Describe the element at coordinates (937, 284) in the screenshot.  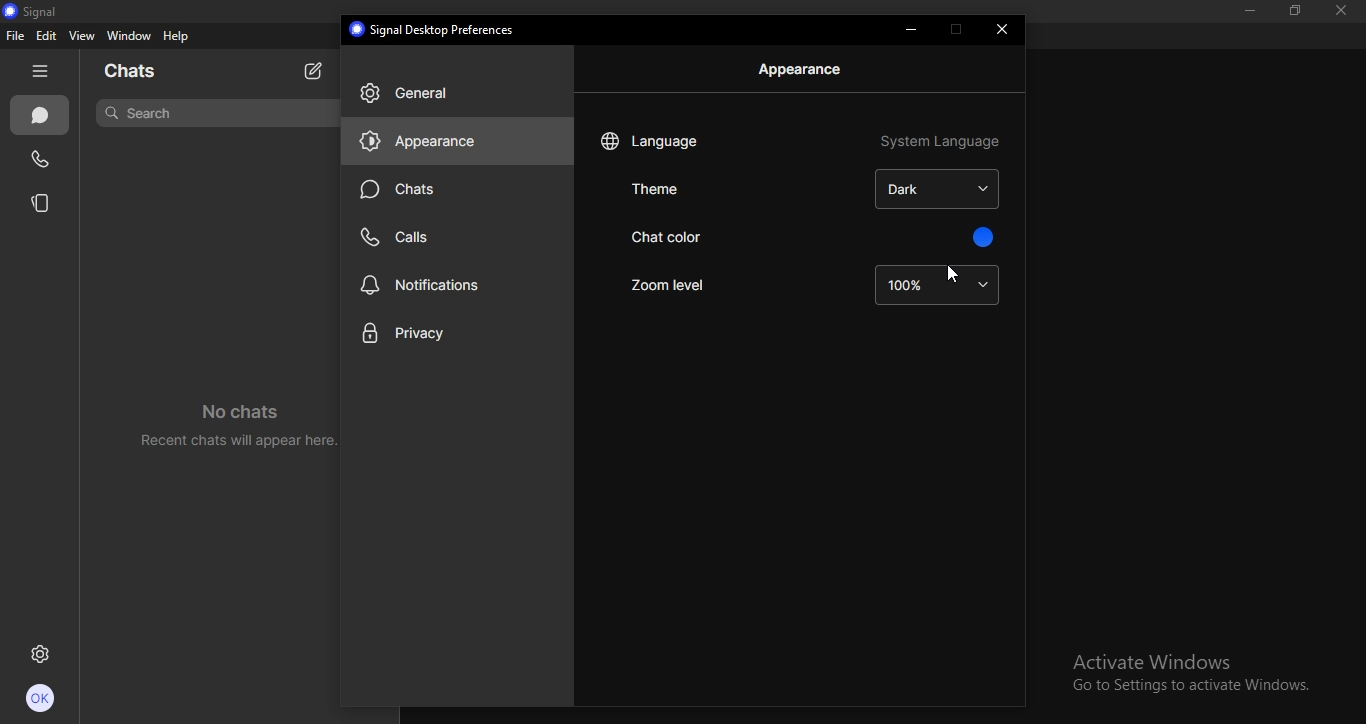
I see `100%` at that location.